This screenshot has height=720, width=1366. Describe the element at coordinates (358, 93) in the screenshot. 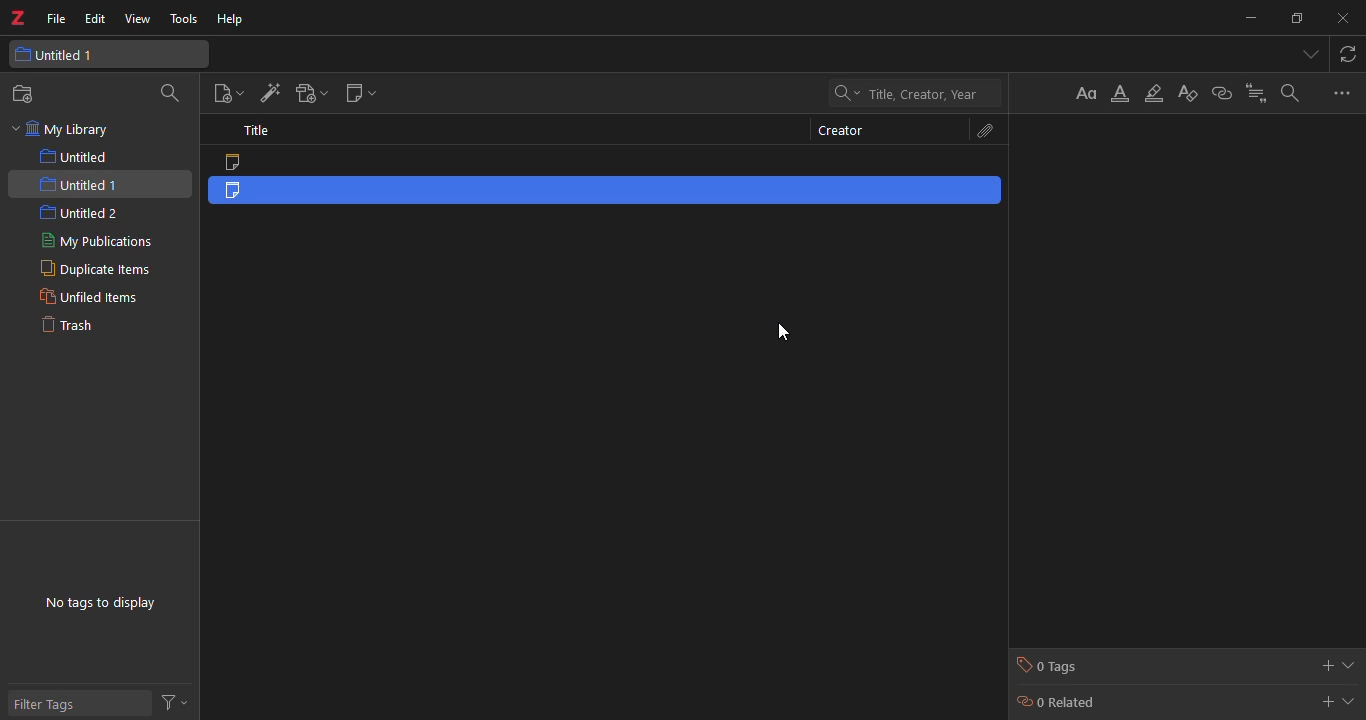

I see `new note` at that location.